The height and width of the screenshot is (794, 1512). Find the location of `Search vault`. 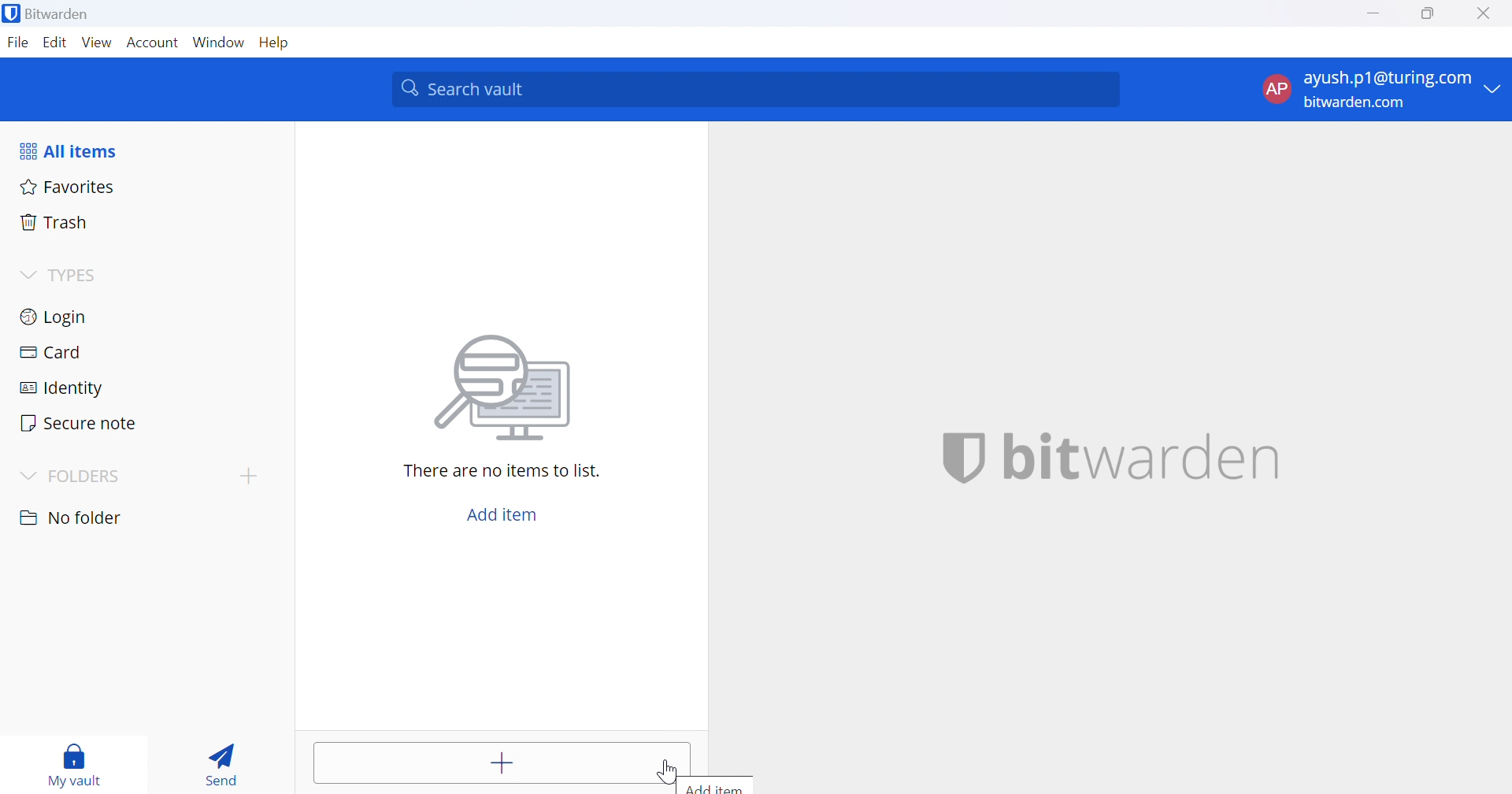

Search vault is located at coordinates (758, 89).